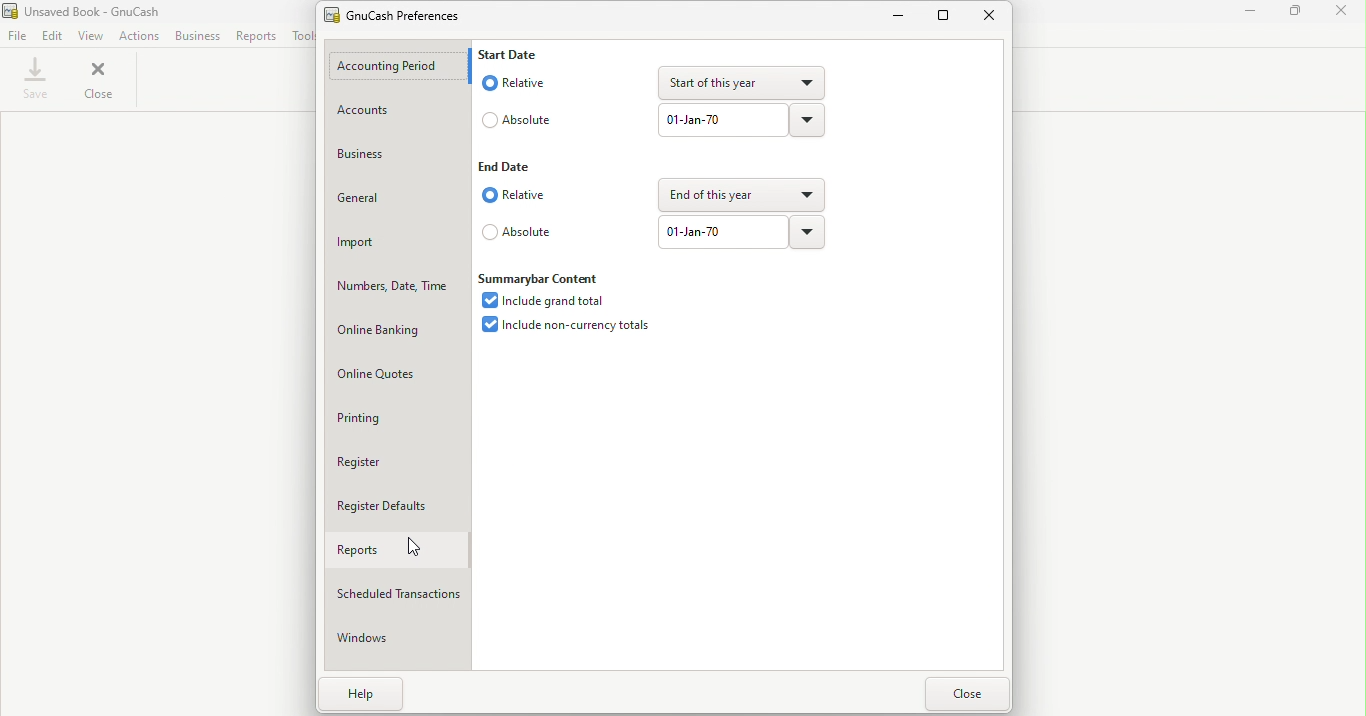  I want to click on Start Date, so click(511, 55).